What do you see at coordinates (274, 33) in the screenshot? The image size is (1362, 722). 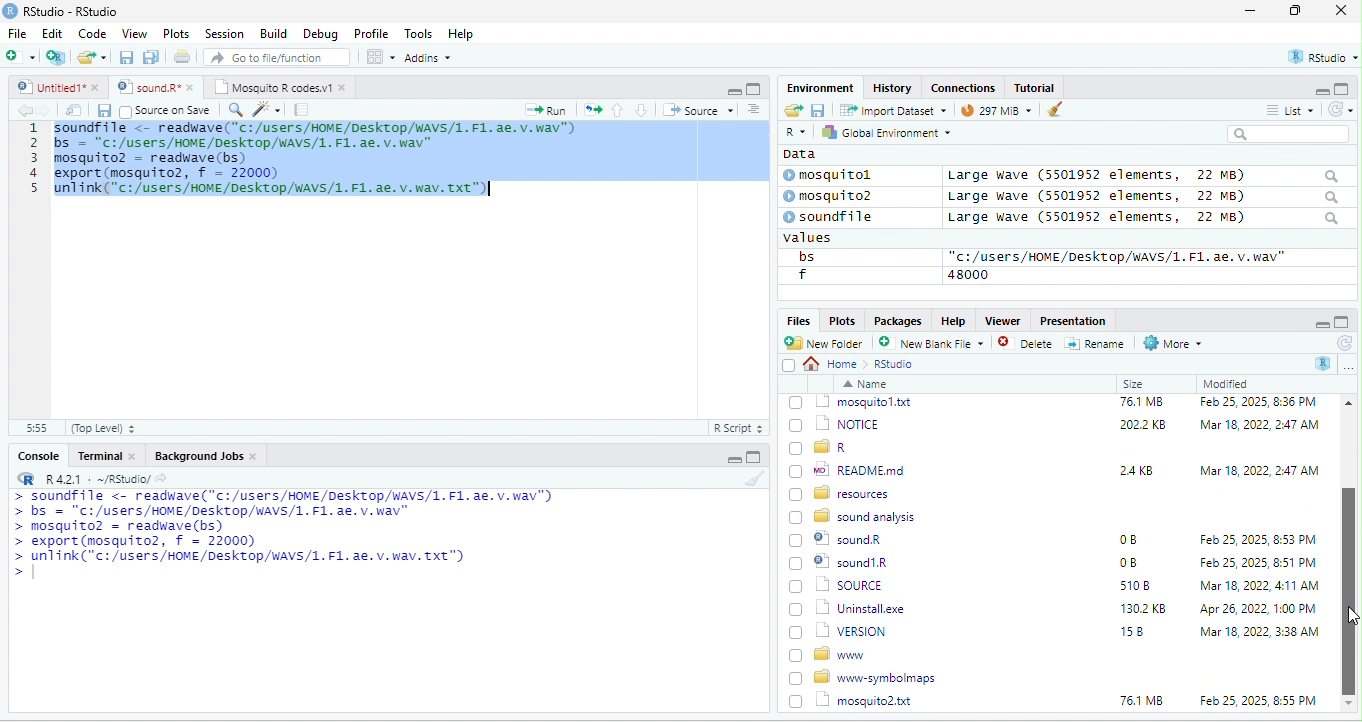 I see `Build` at bounding box center [274, 33].